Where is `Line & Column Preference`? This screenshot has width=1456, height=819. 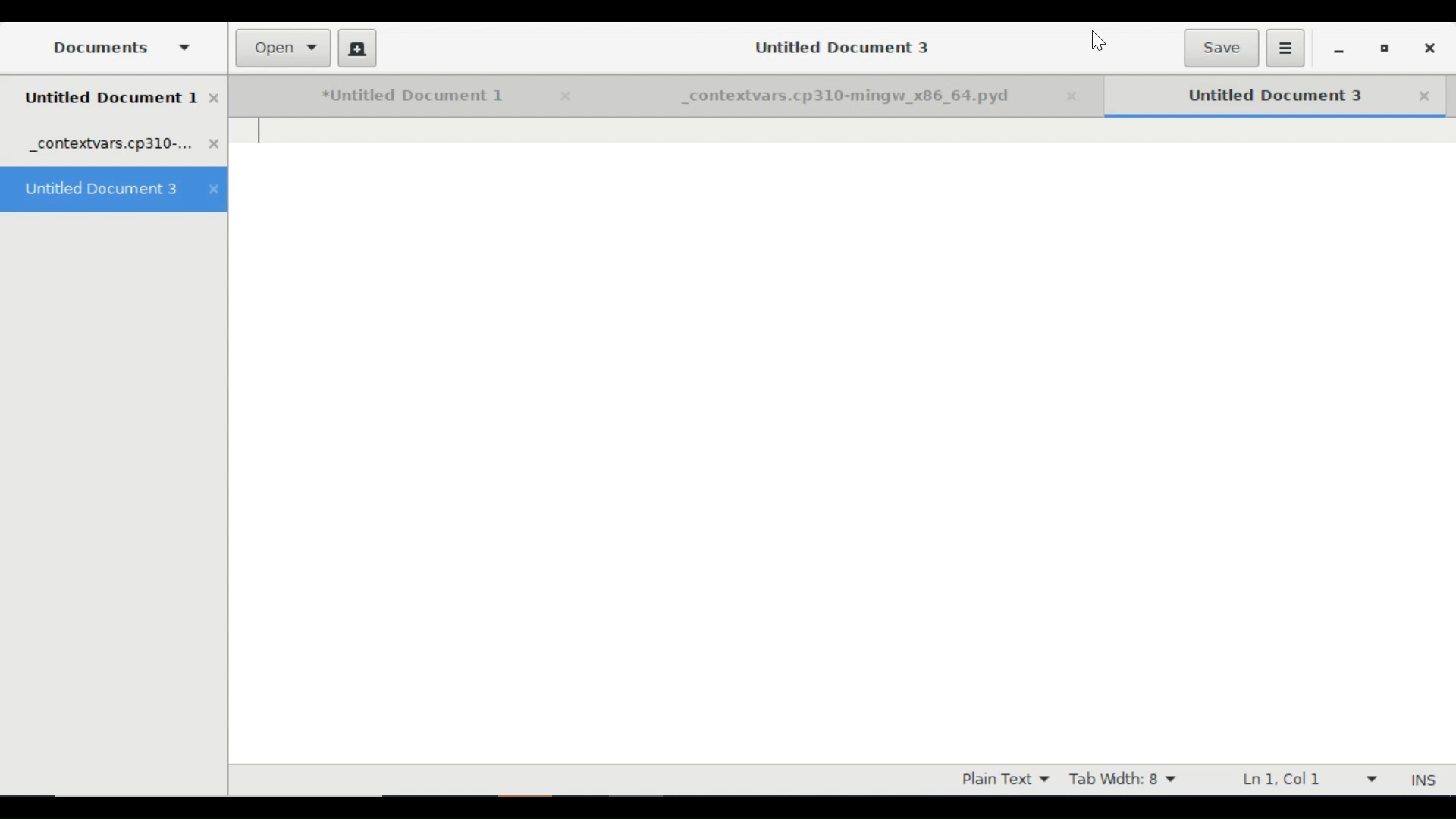
Line & Column Preference is located at coordinates (1308, 779).